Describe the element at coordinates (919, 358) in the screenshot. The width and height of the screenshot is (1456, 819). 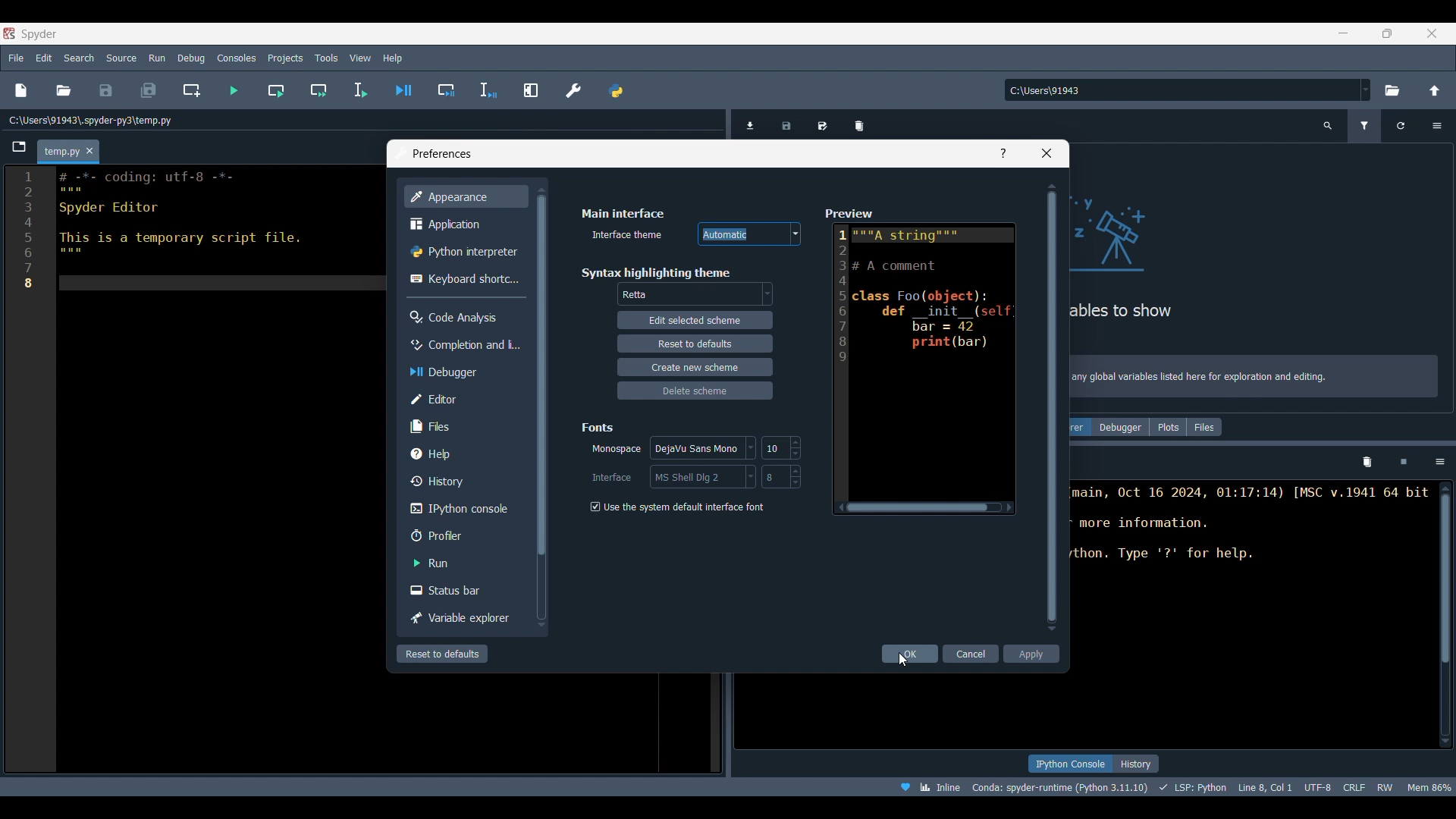
I see `Preview` at that location.